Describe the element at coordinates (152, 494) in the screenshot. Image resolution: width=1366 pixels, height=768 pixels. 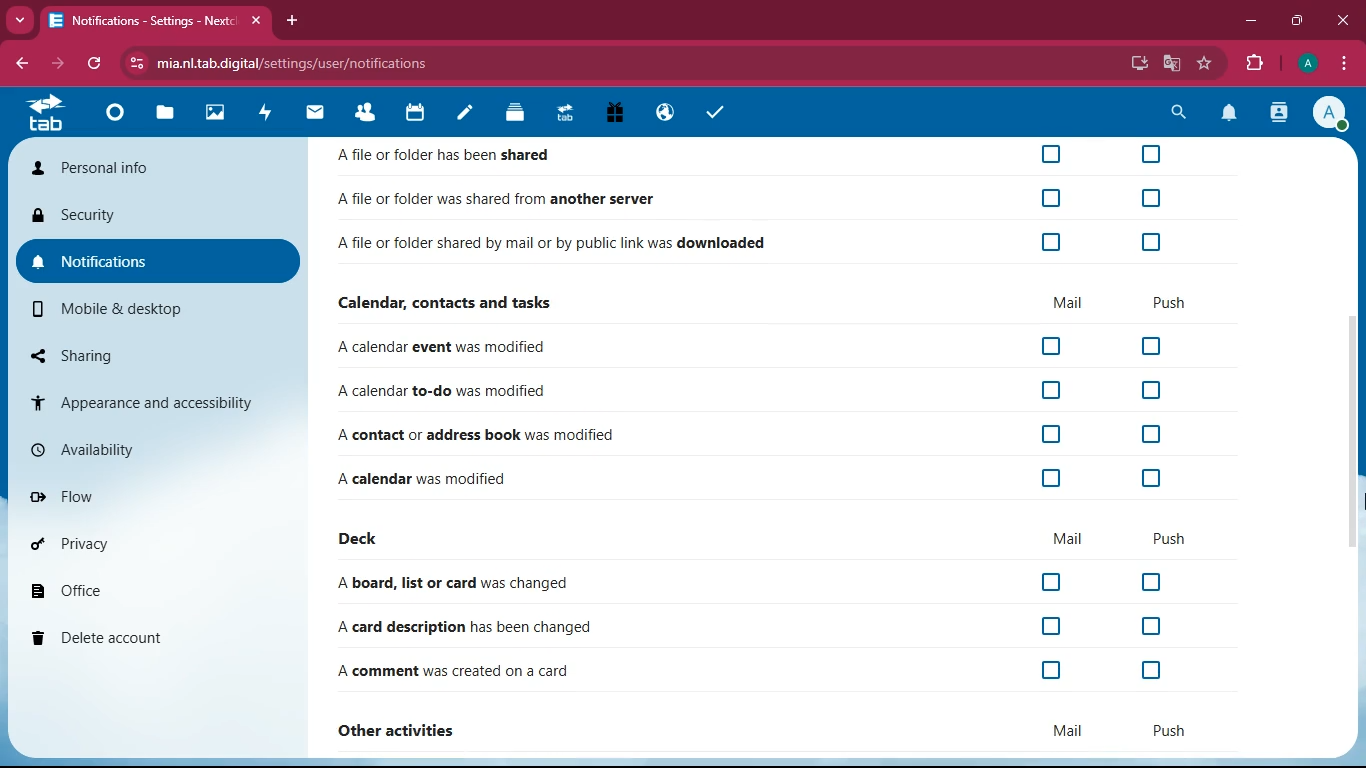
I see `flow` at that location.